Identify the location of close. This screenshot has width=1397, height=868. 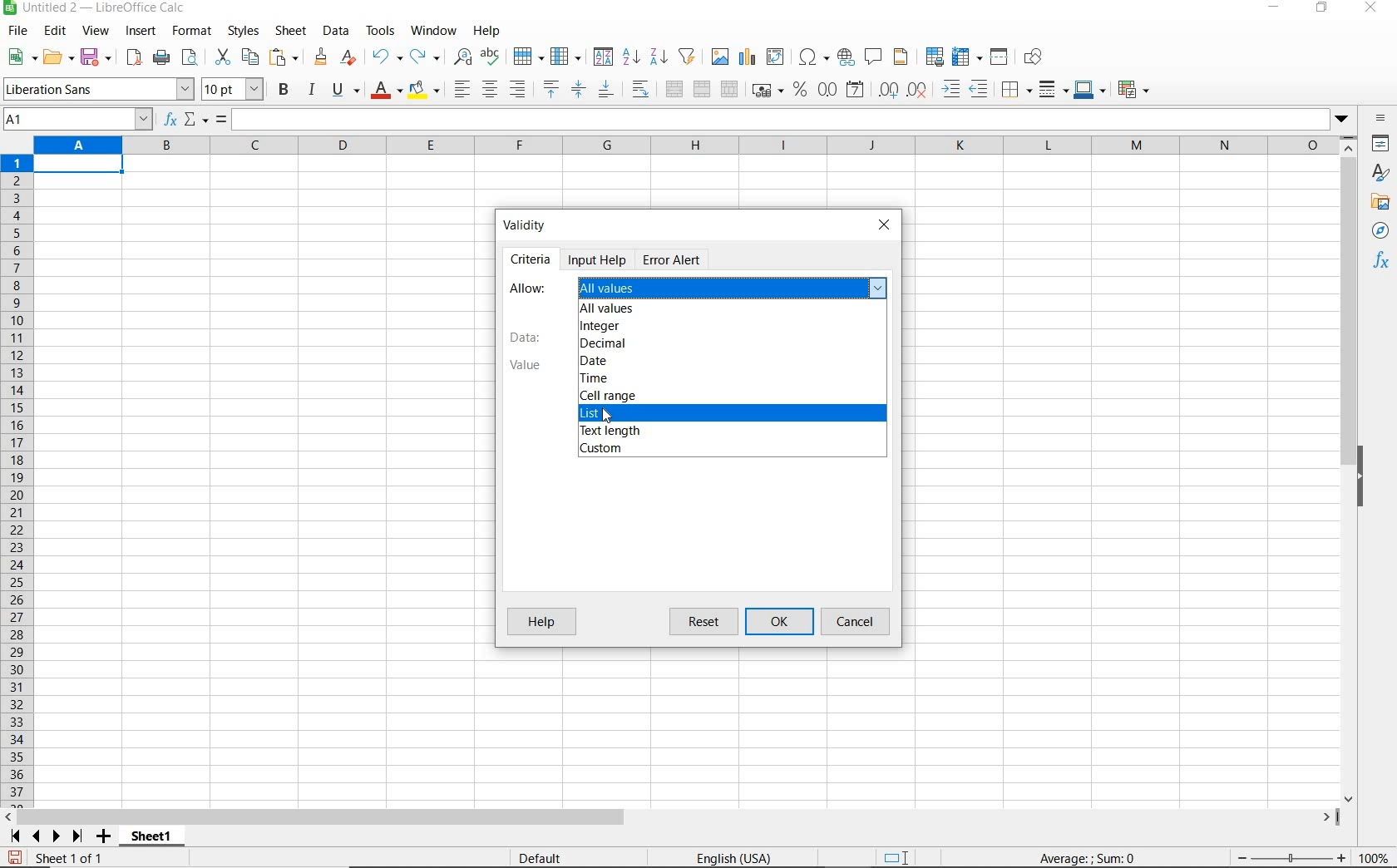
(884, 227).